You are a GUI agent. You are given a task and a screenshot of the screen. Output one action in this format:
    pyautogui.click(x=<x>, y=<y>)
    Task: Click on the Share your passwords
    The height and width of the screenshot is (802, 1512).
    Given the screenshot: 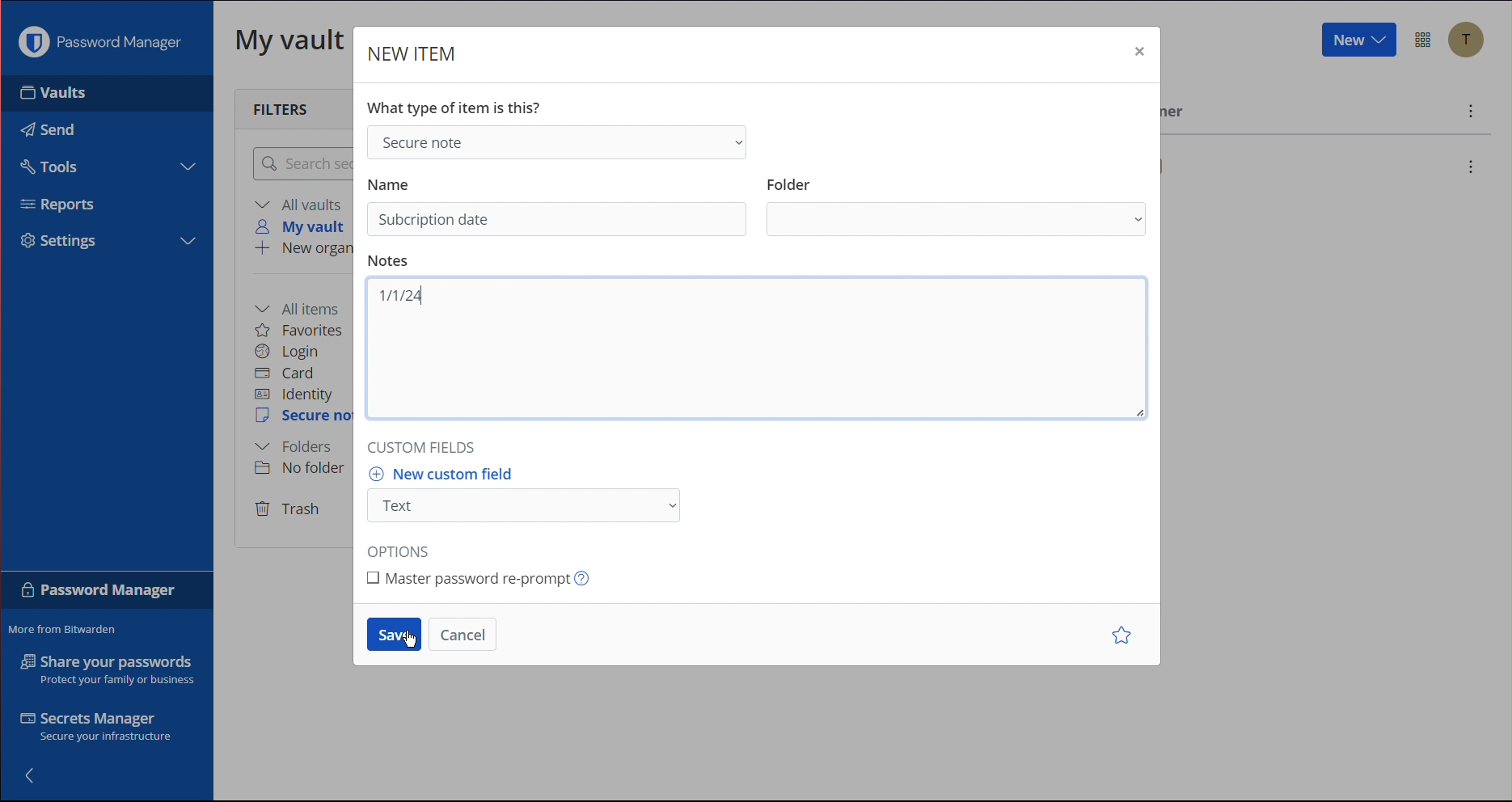 What is the action you would take?
    pyautogui.click(x=108, y=669)
    